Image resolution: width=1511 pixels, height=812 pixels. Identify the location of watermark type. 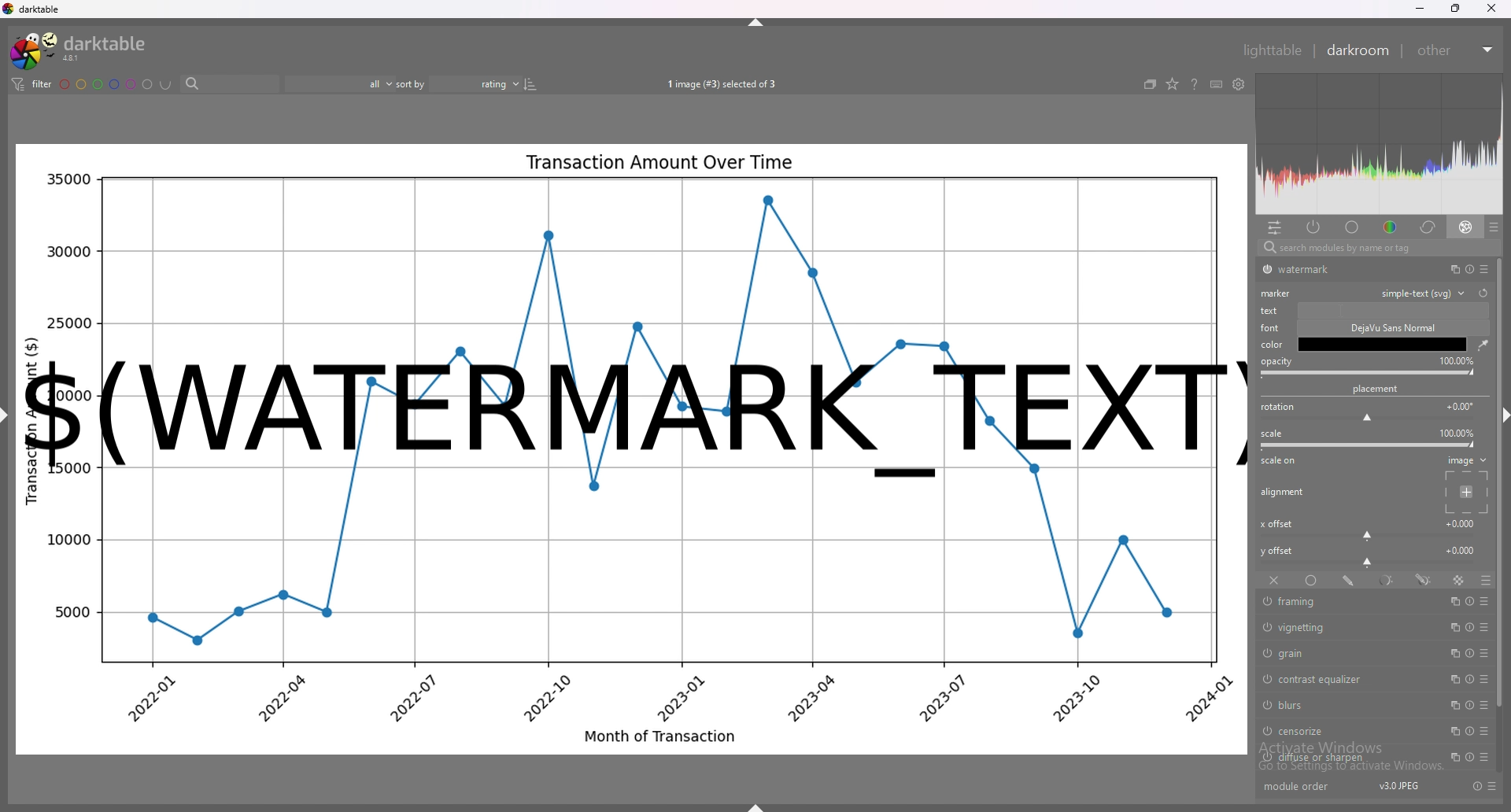
(1428, 293).